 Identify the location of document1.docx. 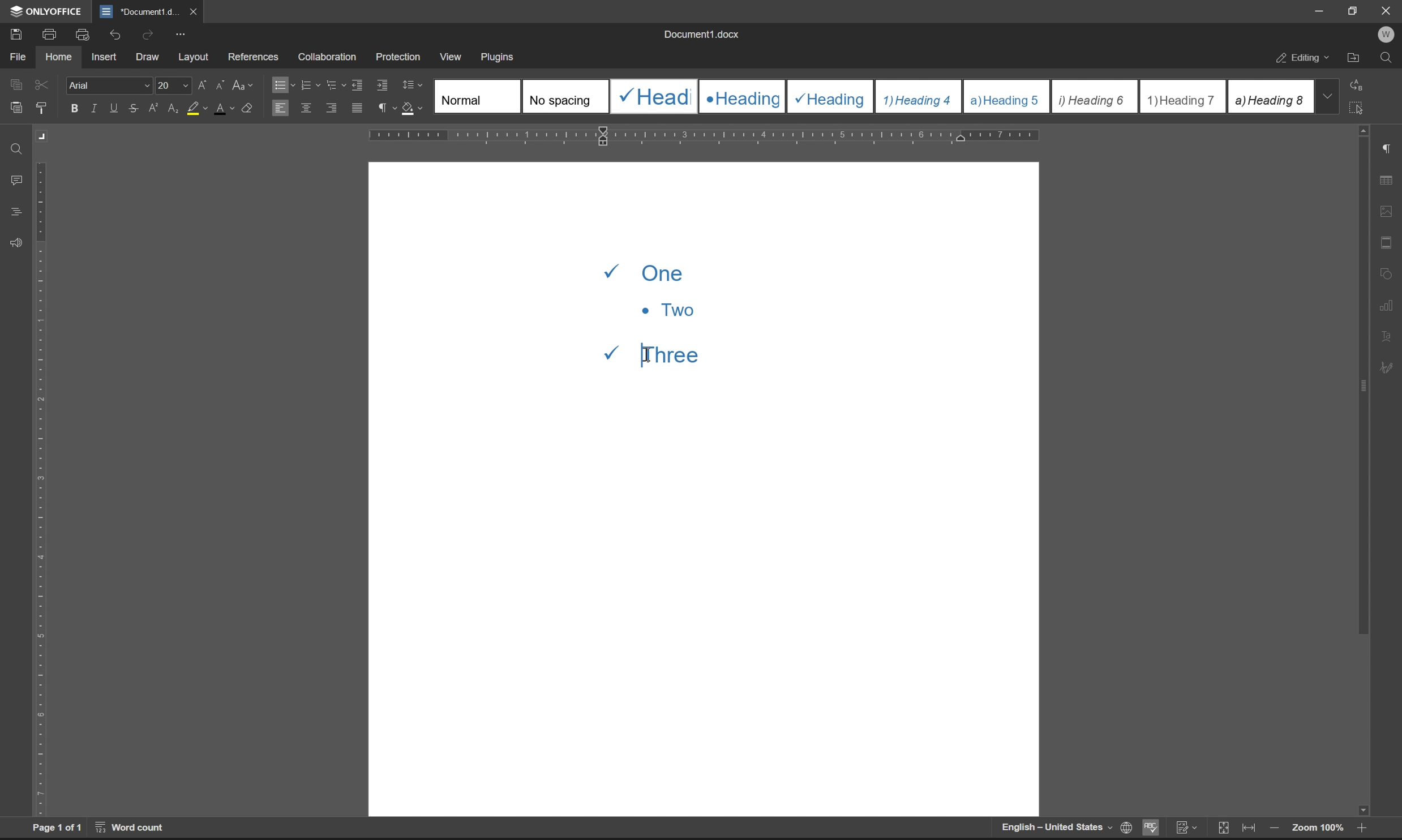
(700, 34).